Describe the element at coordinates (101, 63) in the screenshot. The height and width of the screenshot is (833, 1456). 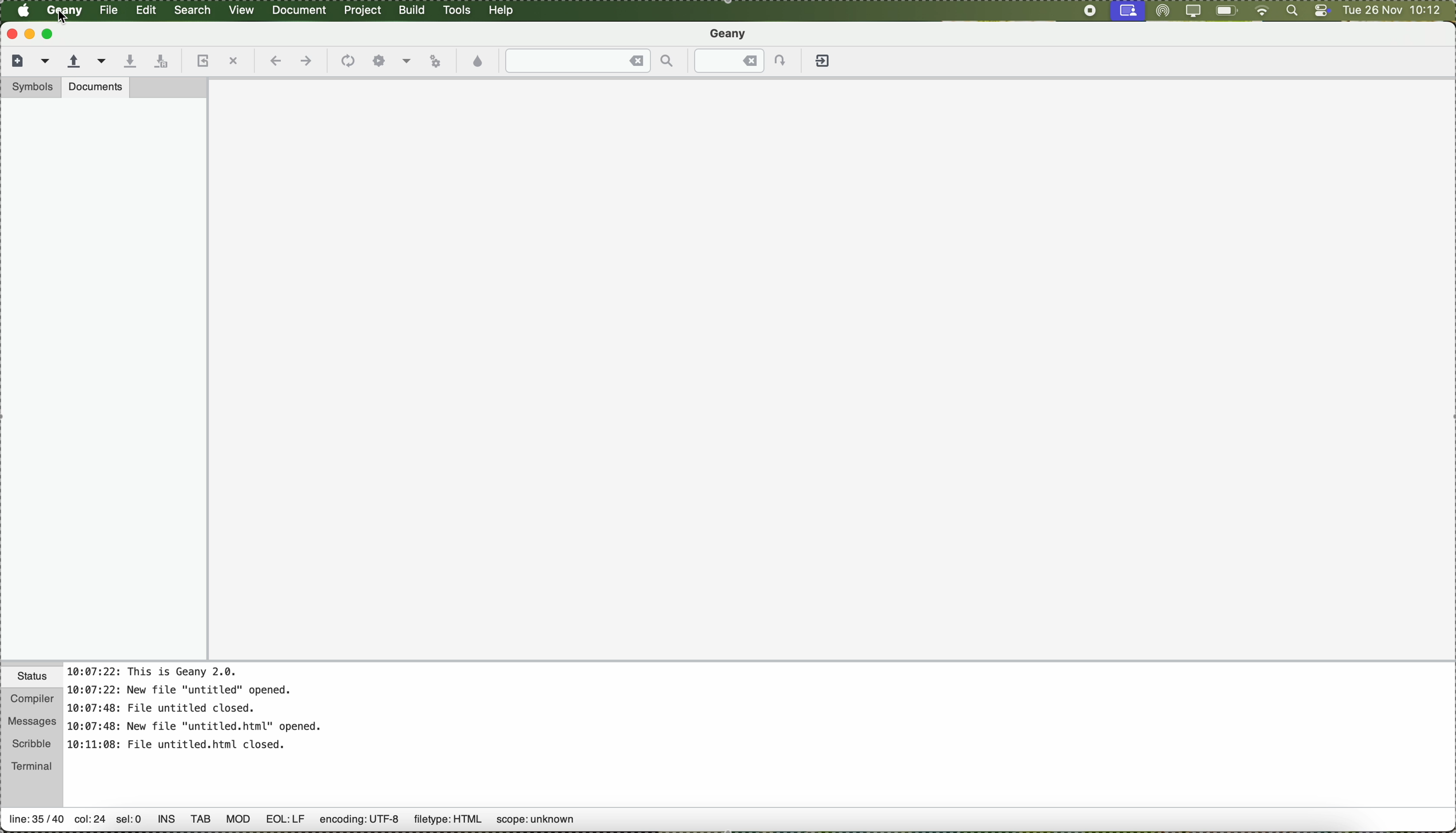
I see `open a recent file` at that location.